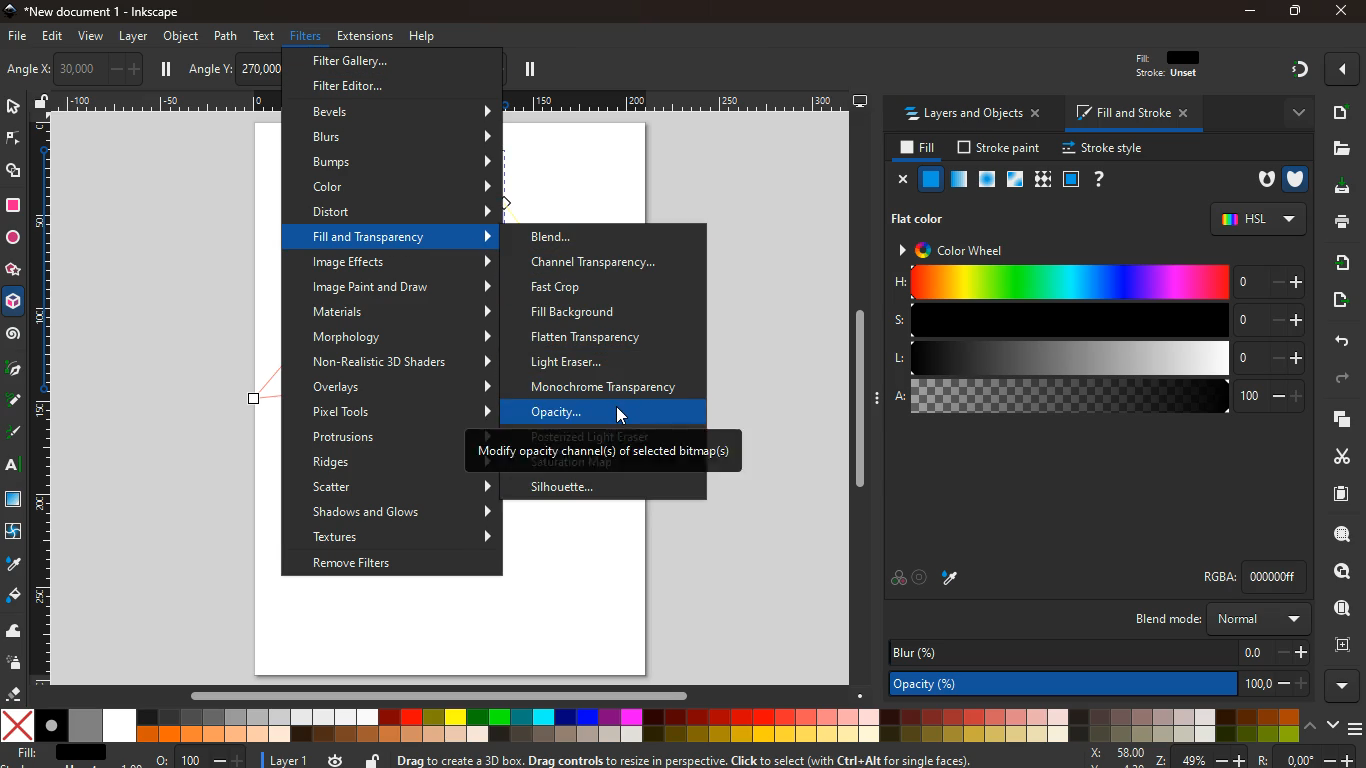 This screenshot has height=768, width=1366. I want to click on extensions, so click(364, 36).